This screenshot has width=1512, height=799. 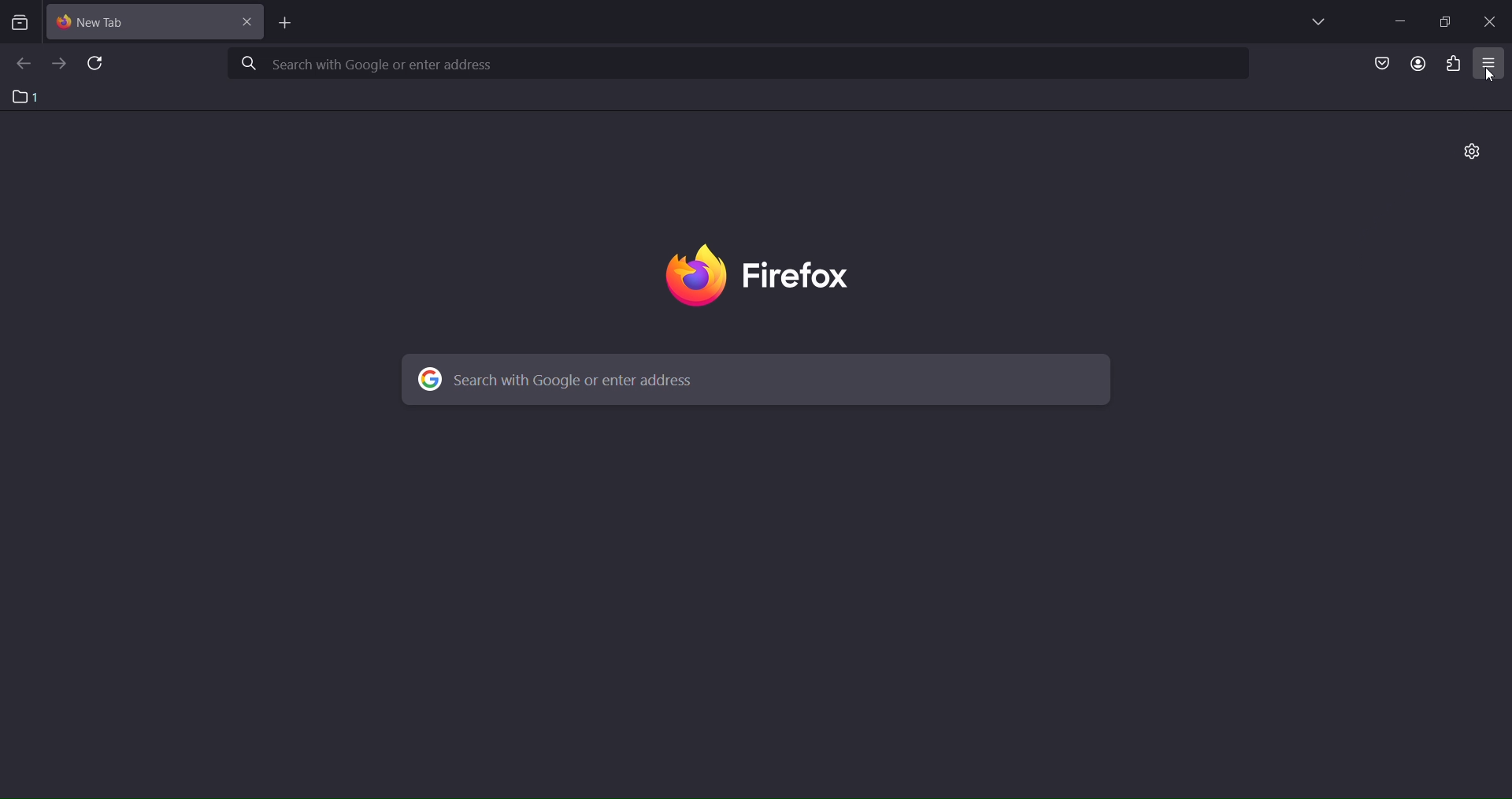 I want to click on personalize new tab, so click(x=1466, y=150).